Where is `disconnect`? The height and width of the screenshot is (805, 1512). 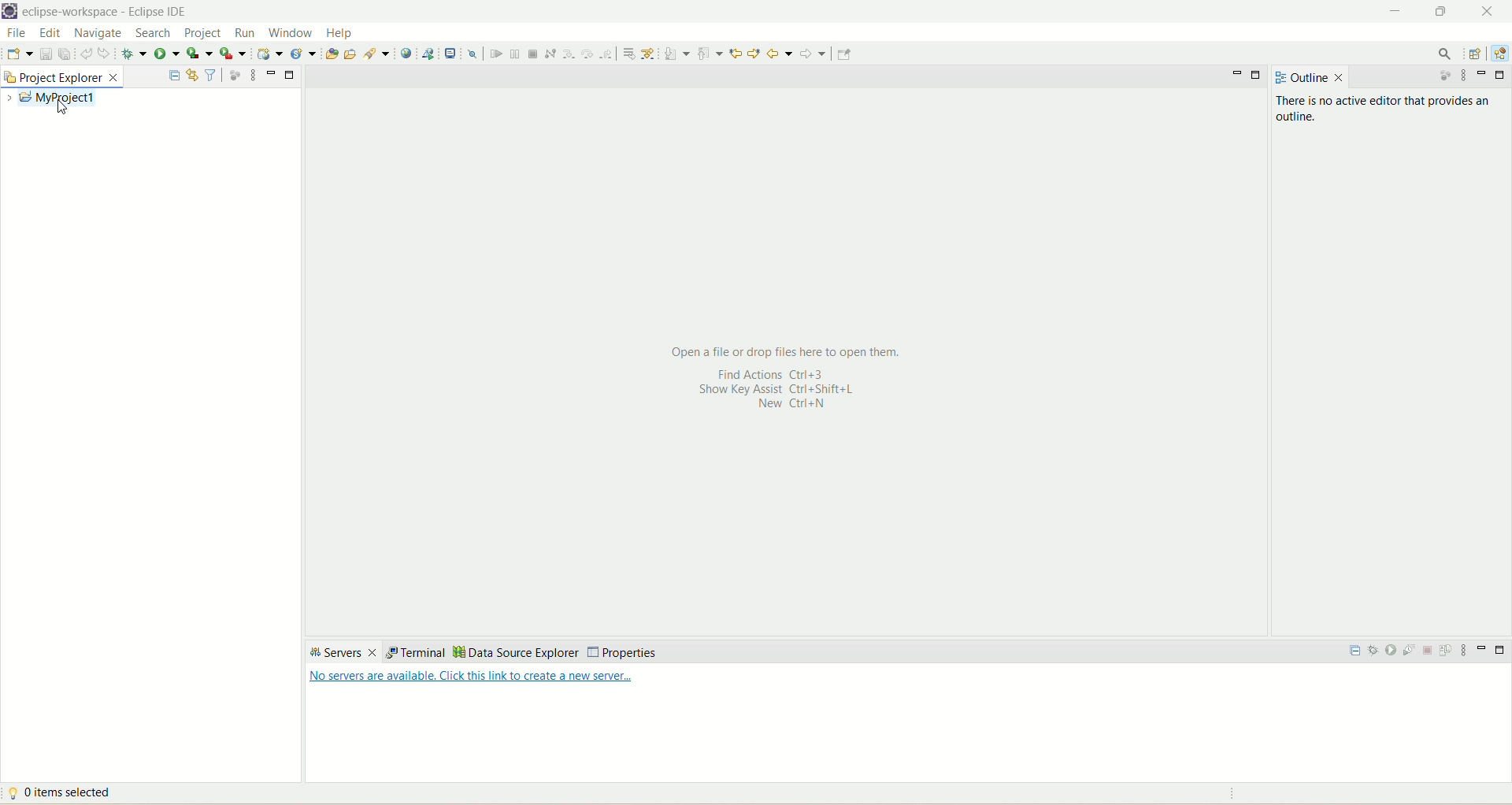
disconnect is located at coordinates (550, 53).